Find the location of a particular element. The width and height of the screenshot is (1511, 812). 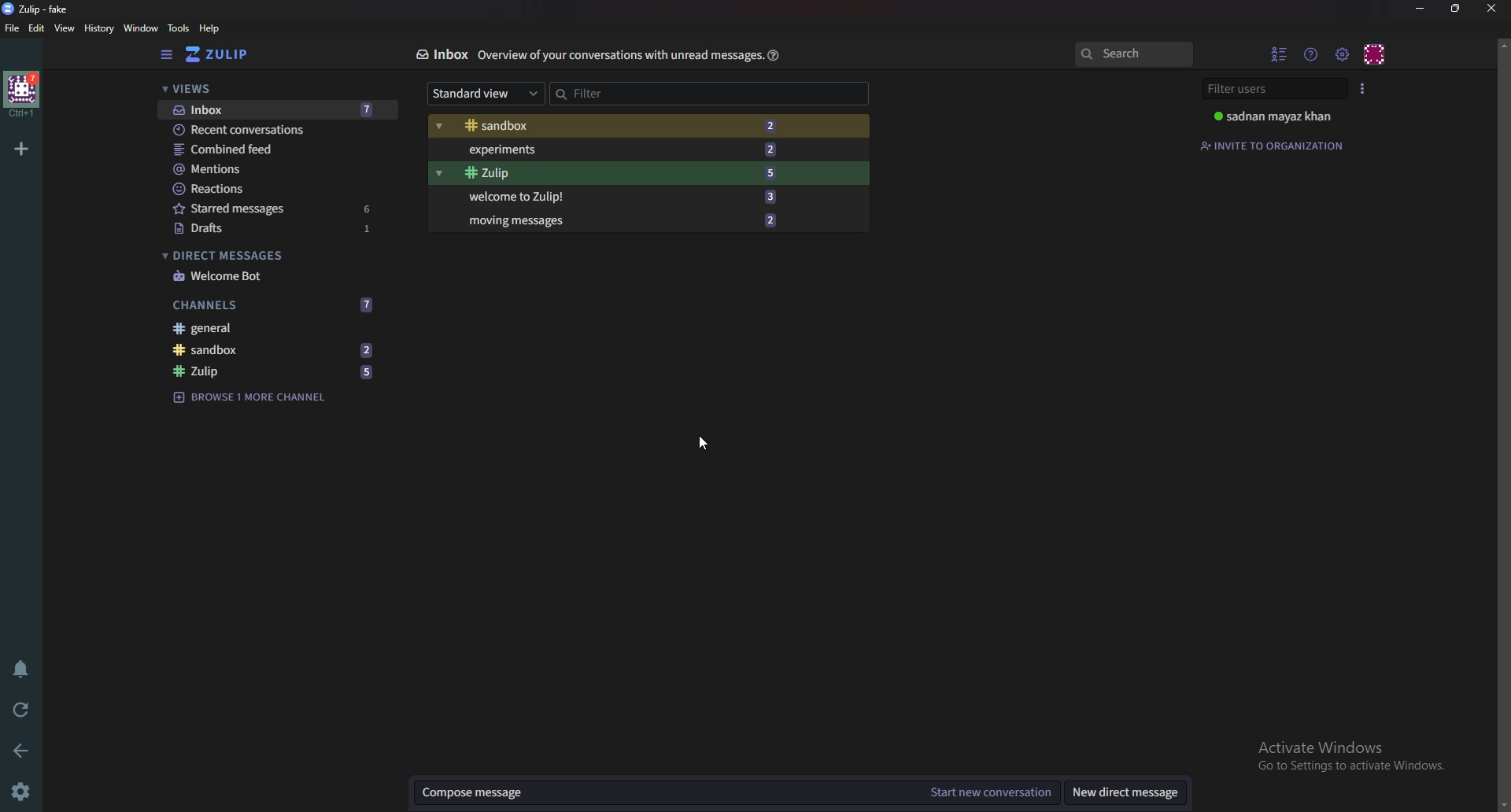

Resize is located at coordinates (1457, 8).